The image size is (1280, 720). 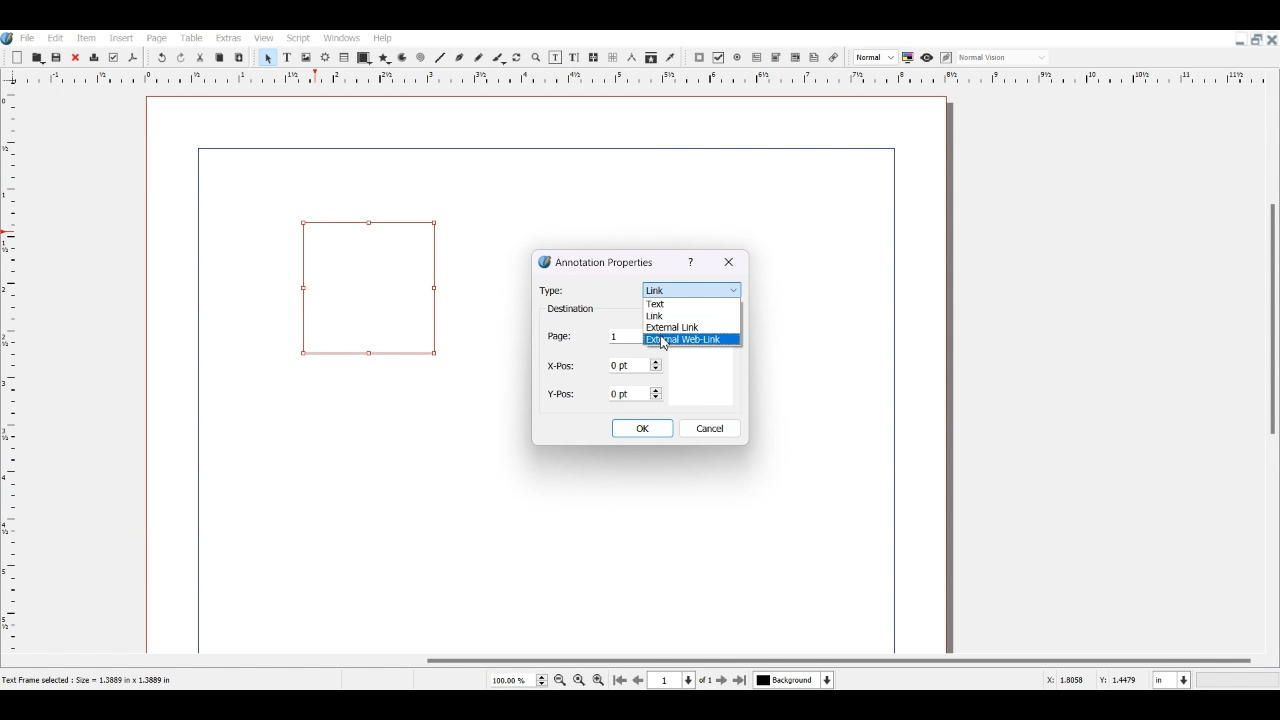 I want to click on Cancel, so click(x=712, y=428).